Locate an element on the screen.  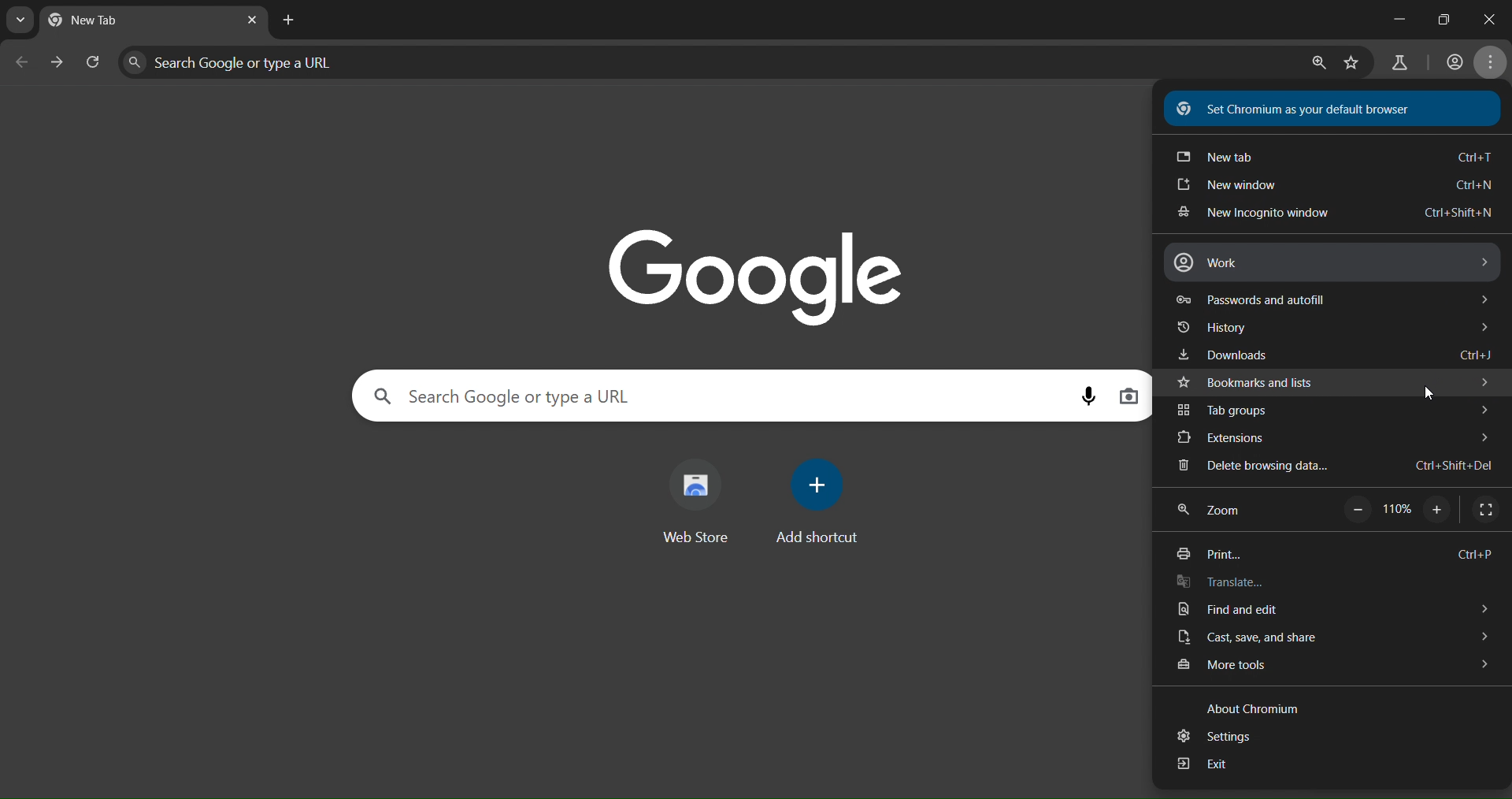
account is located at coordinates (1453, 62).